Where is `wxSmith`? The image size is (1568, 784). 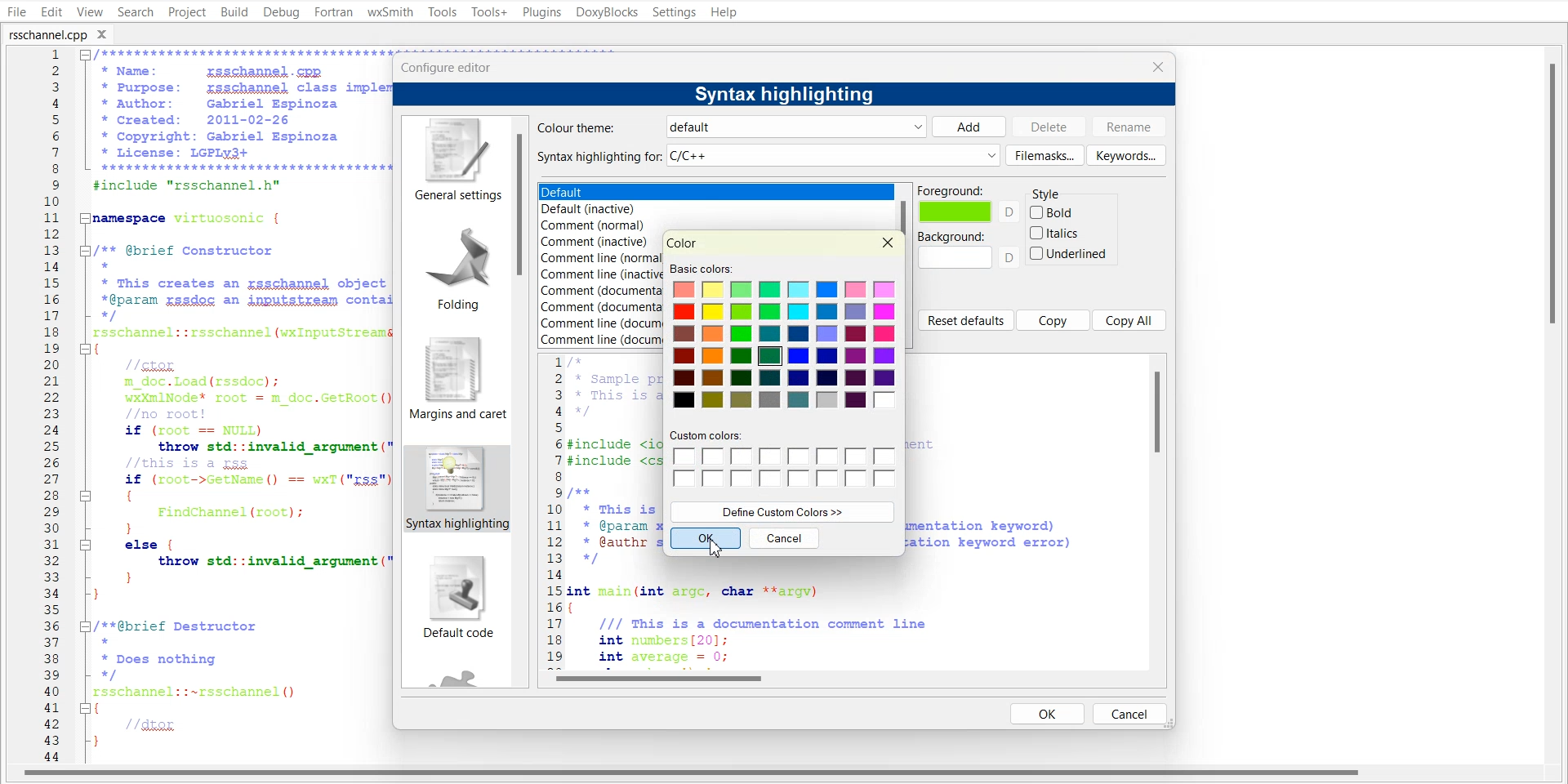 wxSmith is located at coordinates (390, 12).